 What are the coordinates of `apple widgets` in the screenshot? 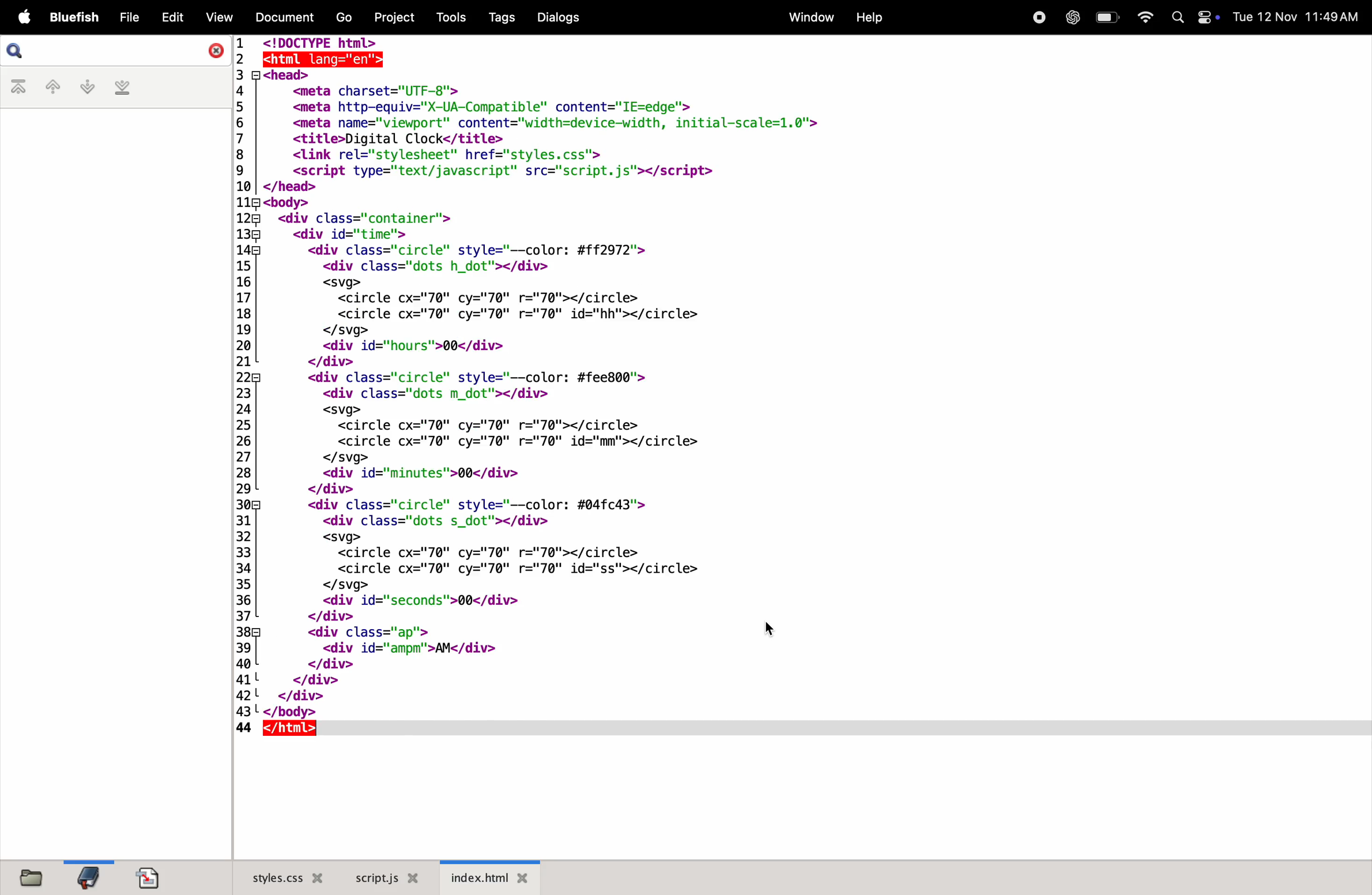 It's located at (1197, 17).